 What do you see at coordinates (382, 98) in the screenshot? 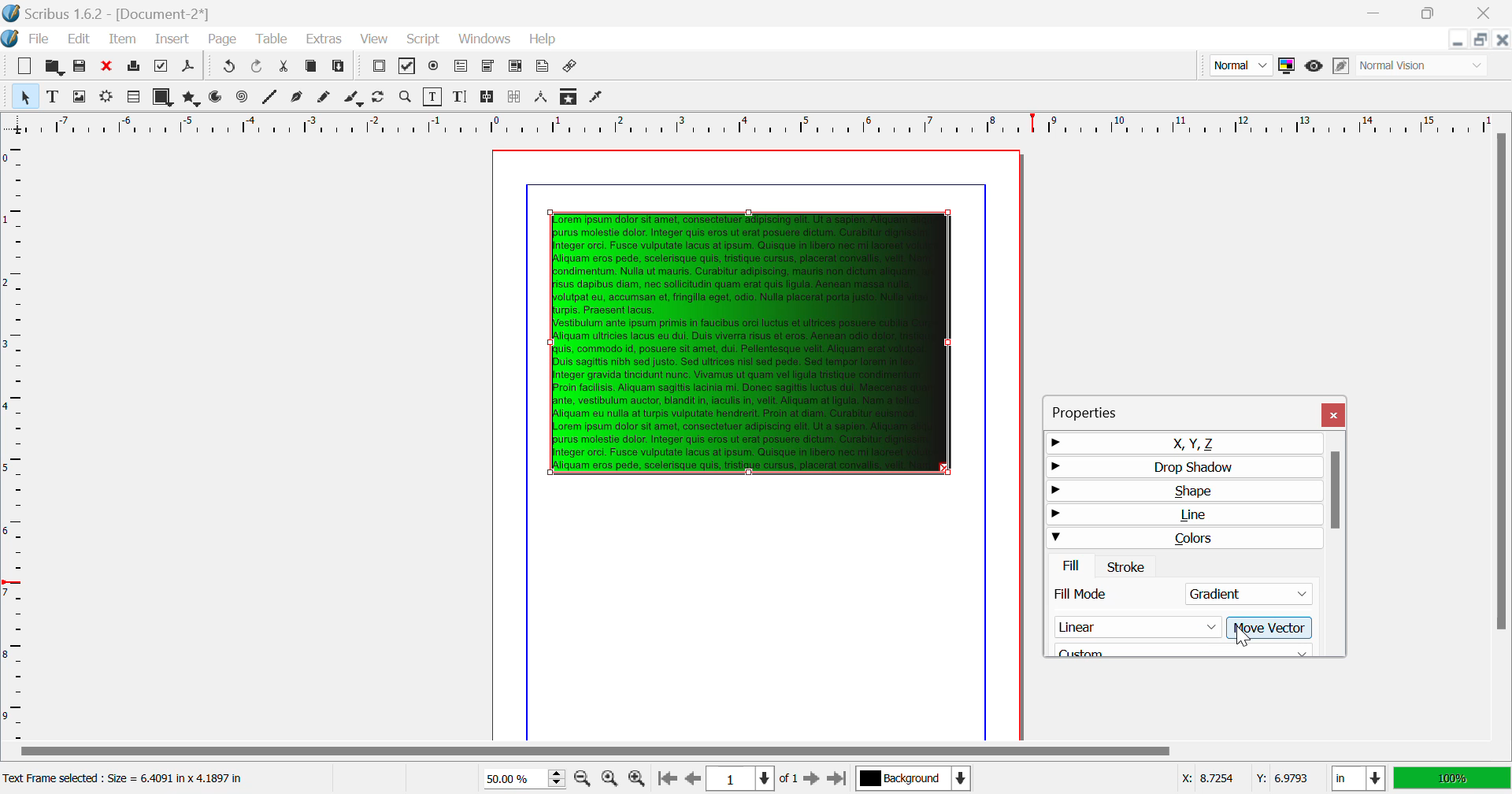
I see `Page Rotation` at bounding box center [382, 98].